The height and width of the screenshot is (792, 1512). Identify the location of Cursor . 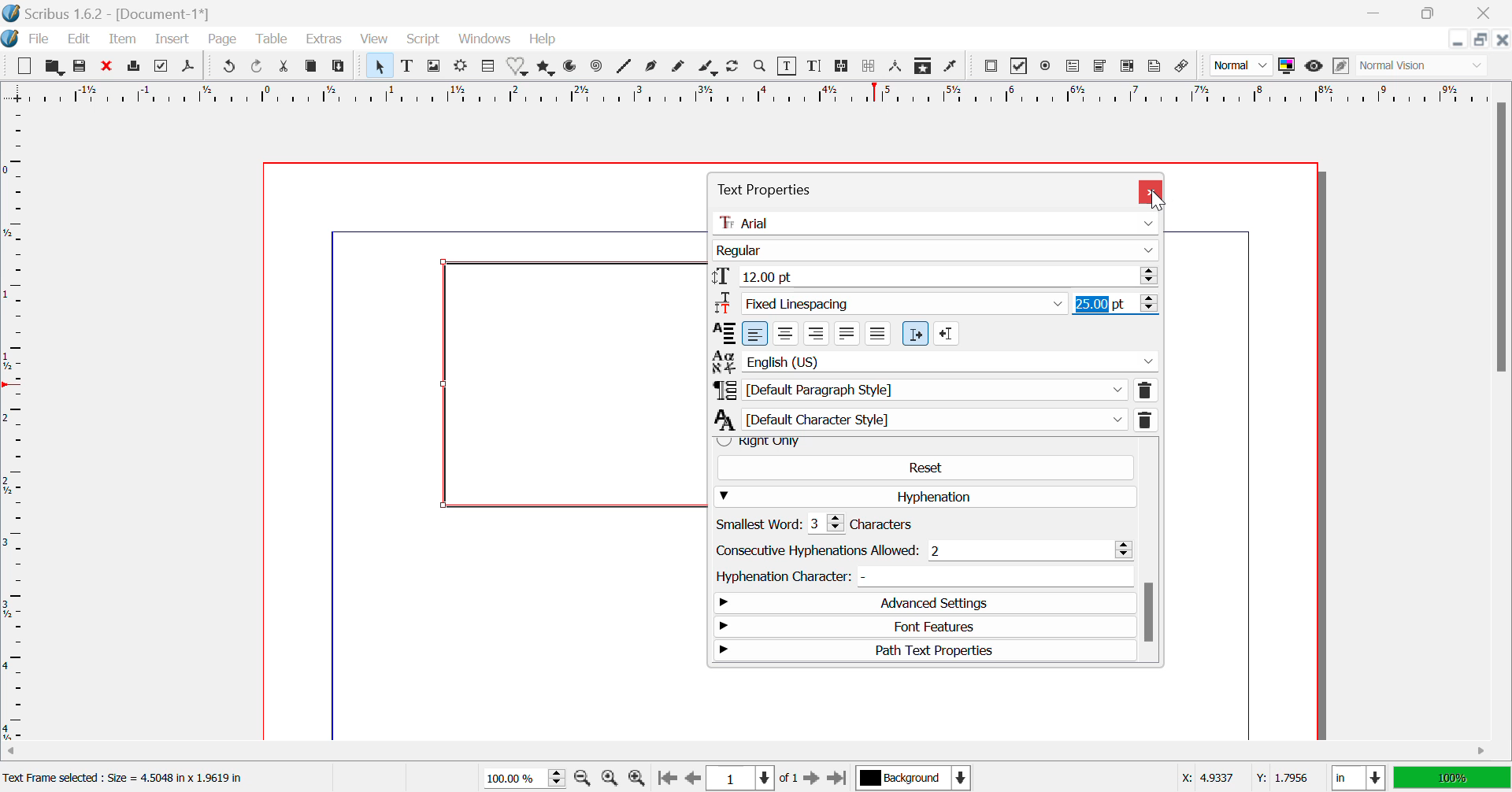
(1154, 198).